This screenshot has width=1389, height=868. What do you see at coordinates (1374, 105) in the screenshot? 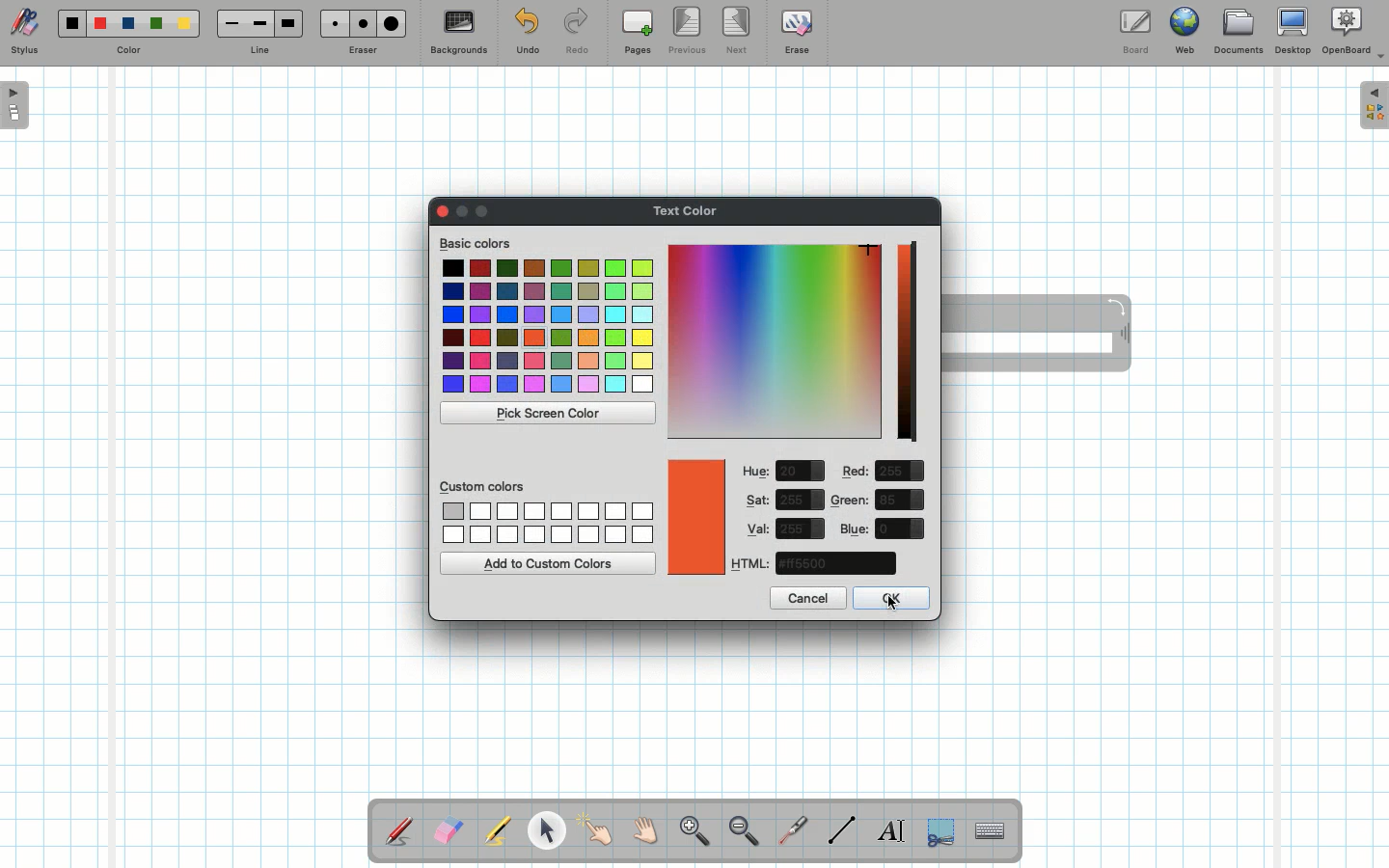
I see `Expand` at bounding box center [1374, 105].